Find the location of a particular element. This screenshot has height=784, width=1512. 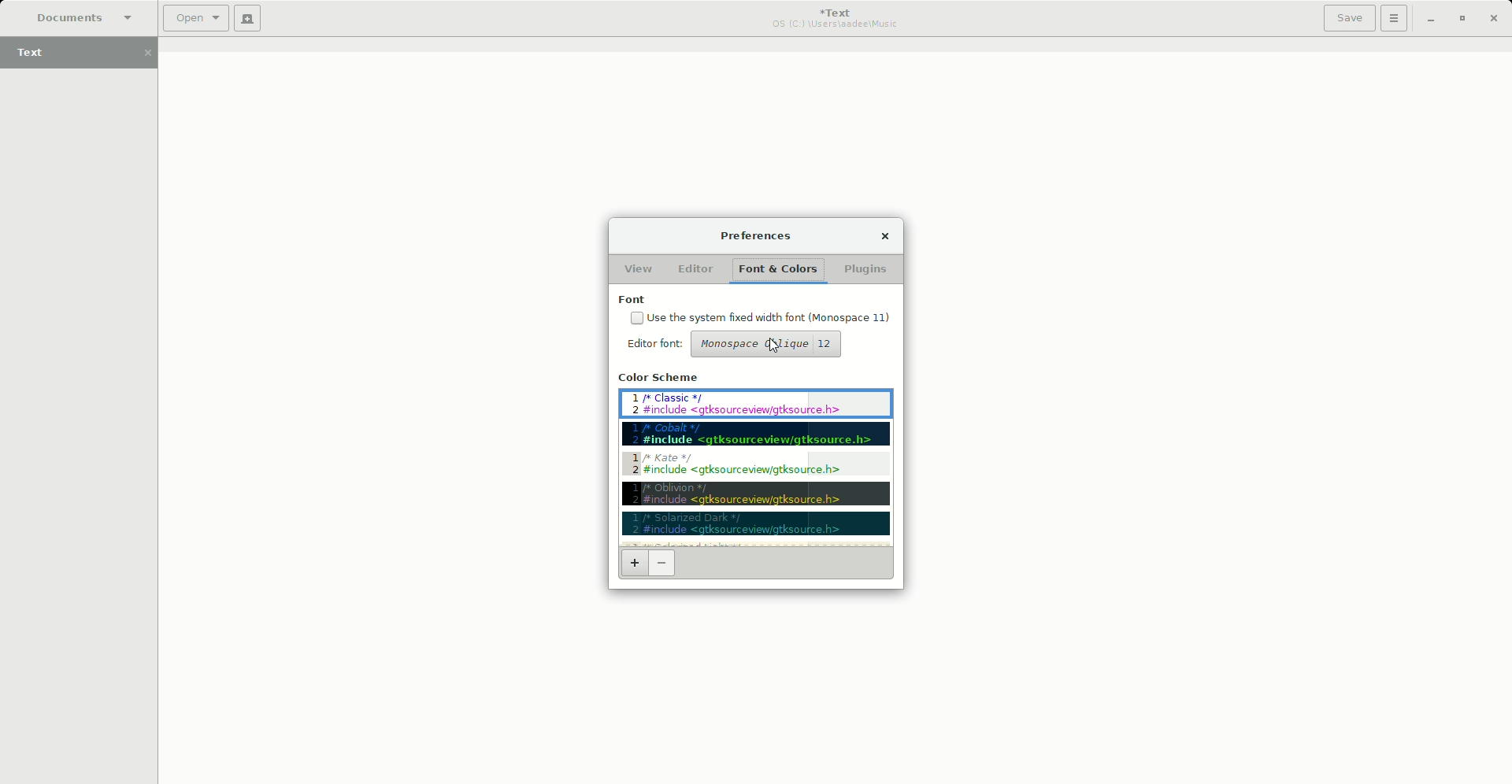

Font is located at coordinates (633, 300).